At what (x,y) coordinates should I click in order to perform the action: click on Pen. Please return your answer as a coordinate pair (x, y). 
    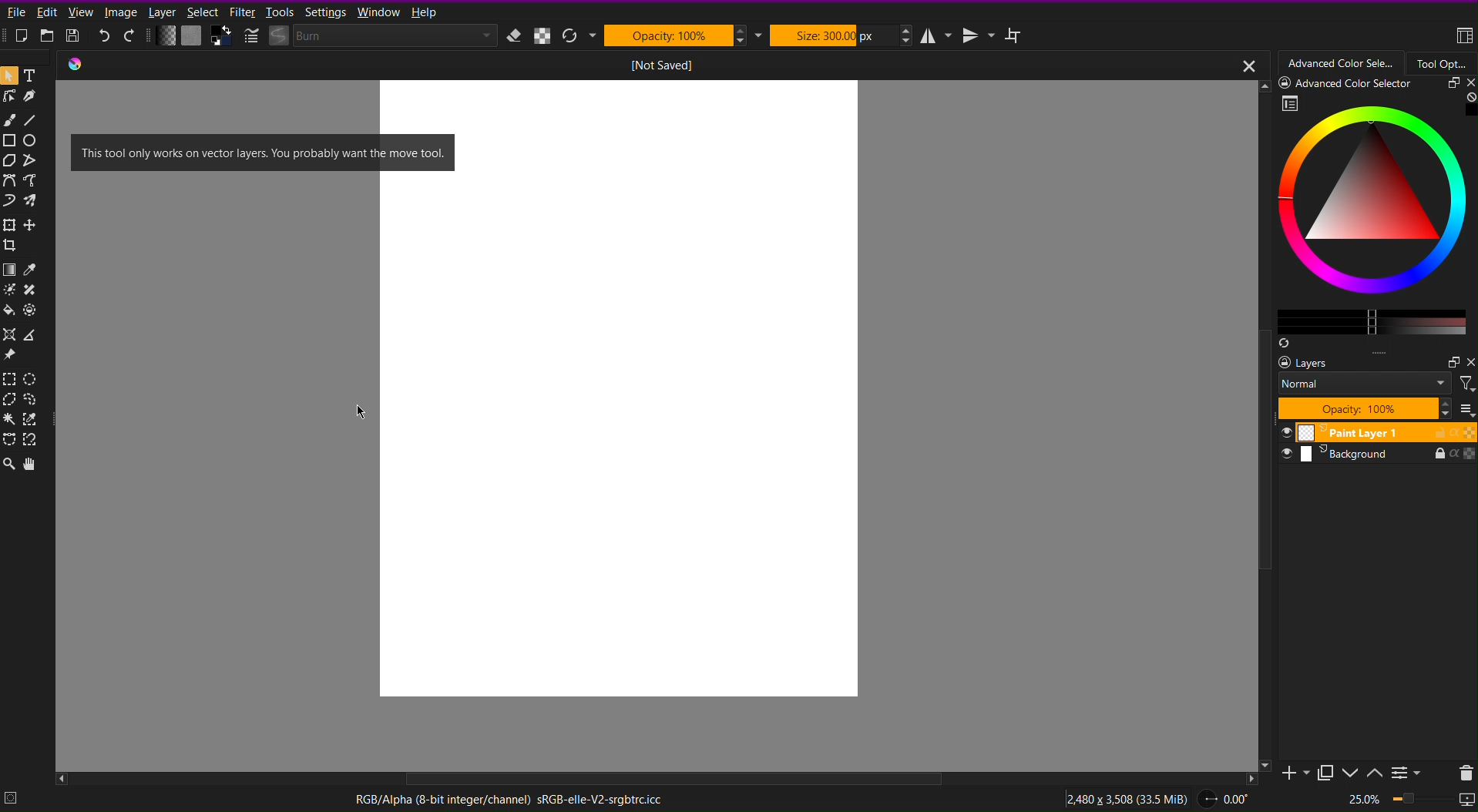
    Looking at the image, I should click on (32, 99).